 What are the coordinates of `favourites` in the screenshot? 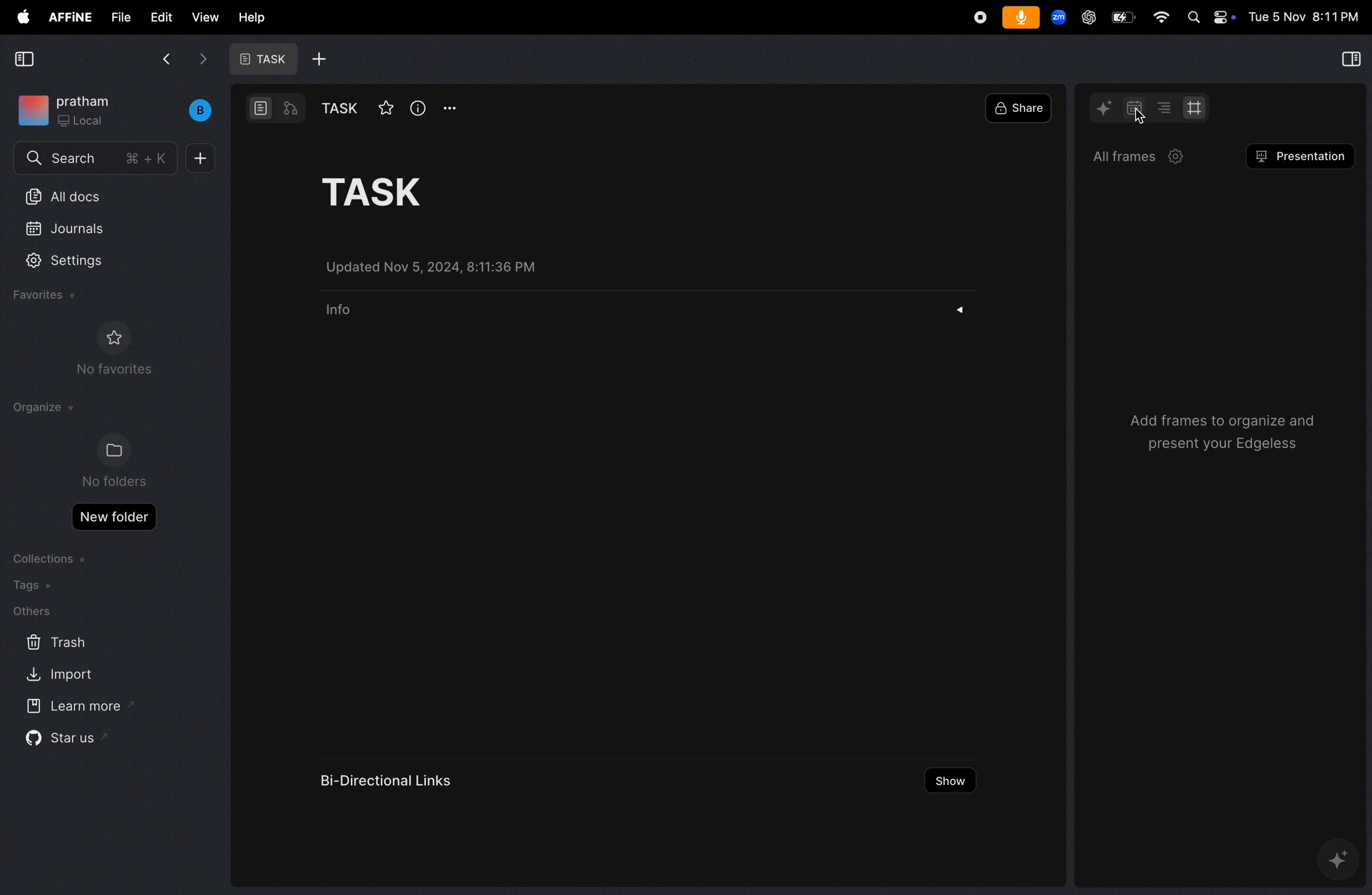 It's located at (48, 296).